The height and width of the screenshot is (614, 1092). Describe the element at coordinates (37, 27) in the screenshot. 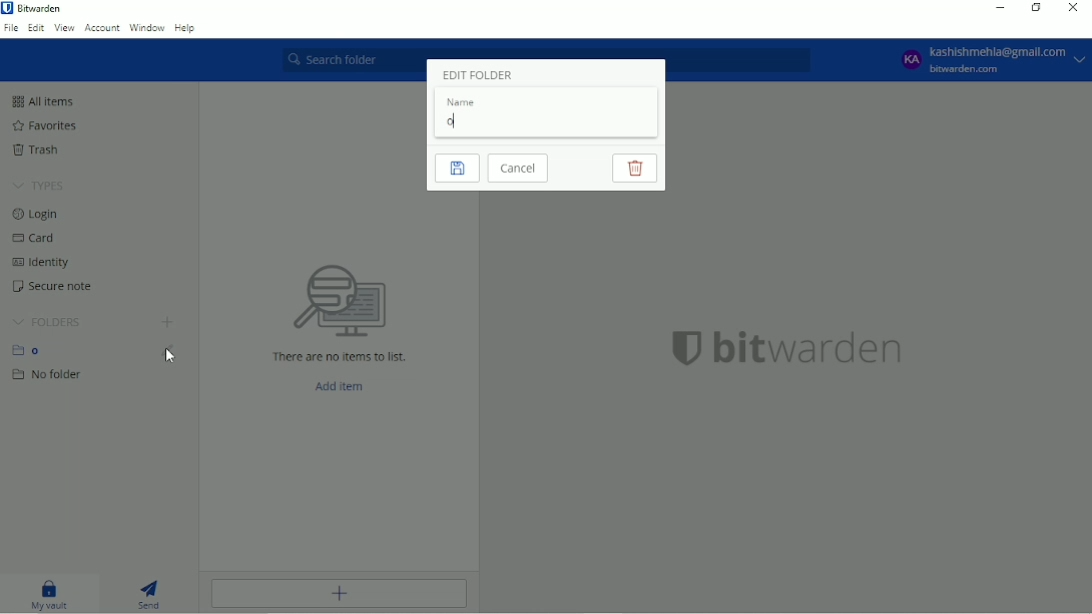

I see `Edit` at that location.